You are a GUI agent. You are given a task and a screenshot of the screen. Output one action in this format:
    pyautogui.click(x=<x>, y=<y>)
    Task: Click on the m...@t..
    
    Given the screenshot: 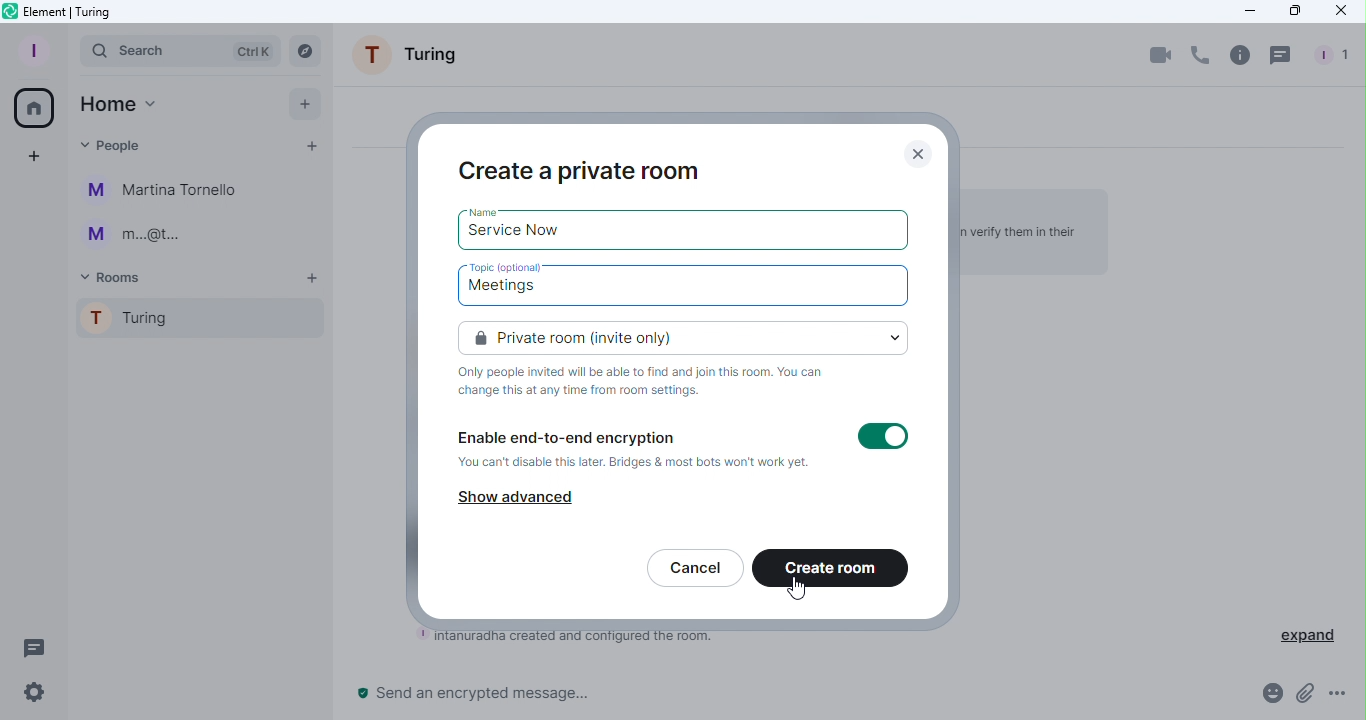 What is the action you would take?
    pyautogui.click(x=130, y=235)
    